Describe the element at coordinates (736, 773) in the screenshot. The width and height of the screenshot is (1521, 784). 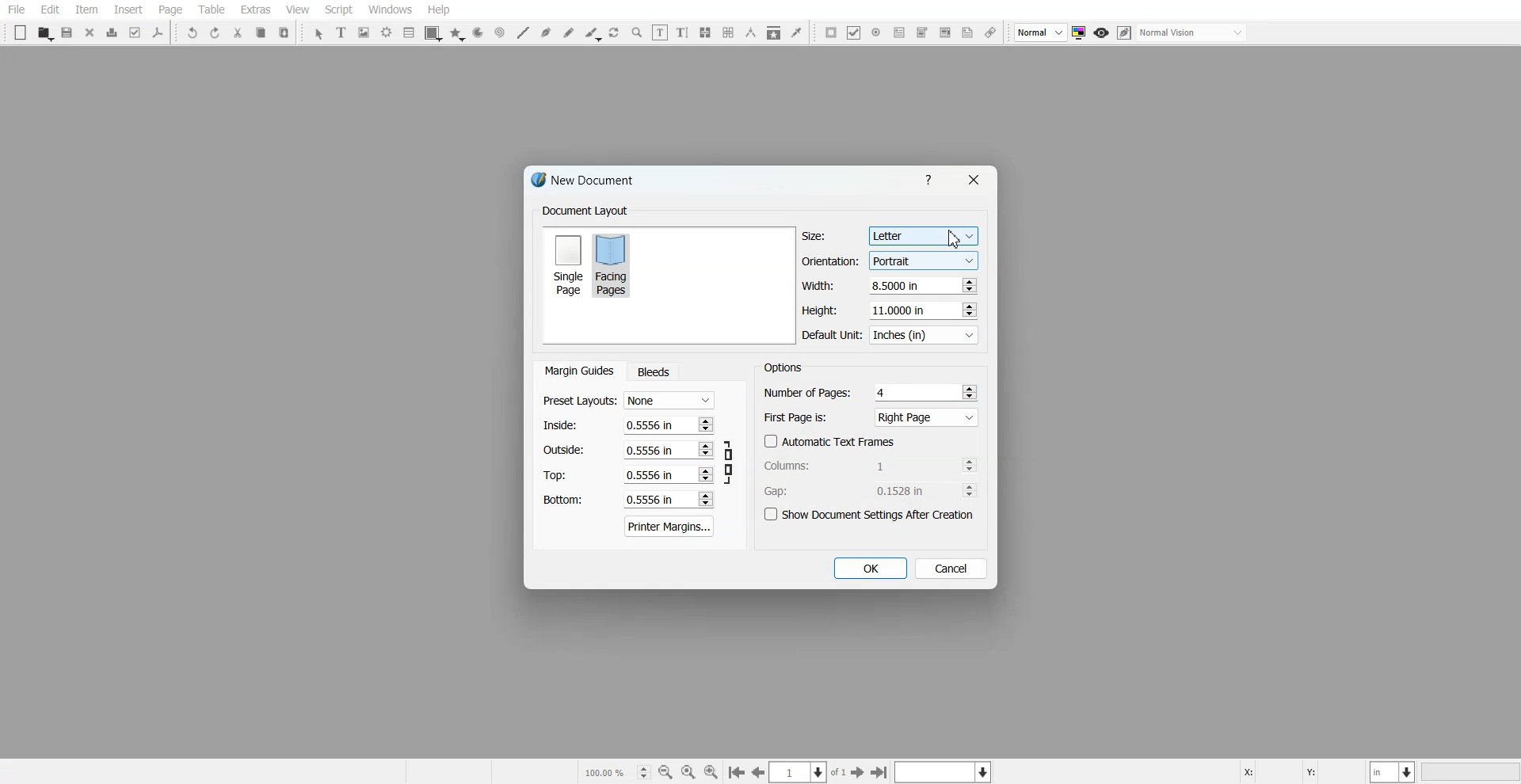
I see `Go to the first page` at that location.